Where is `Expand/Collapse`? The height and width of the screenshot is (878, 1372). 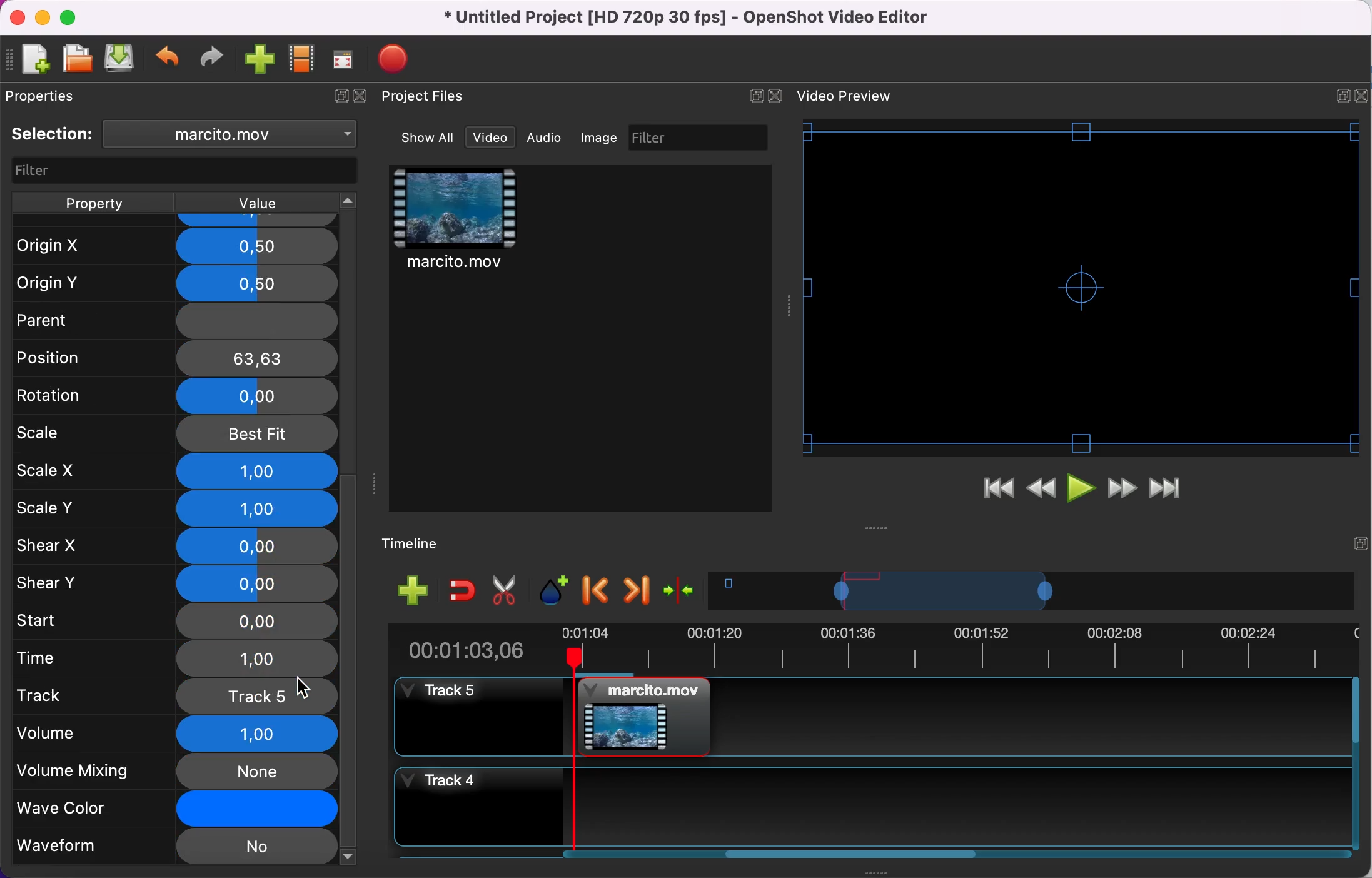
Expand/Collapse is located at coordinates (756, 96).